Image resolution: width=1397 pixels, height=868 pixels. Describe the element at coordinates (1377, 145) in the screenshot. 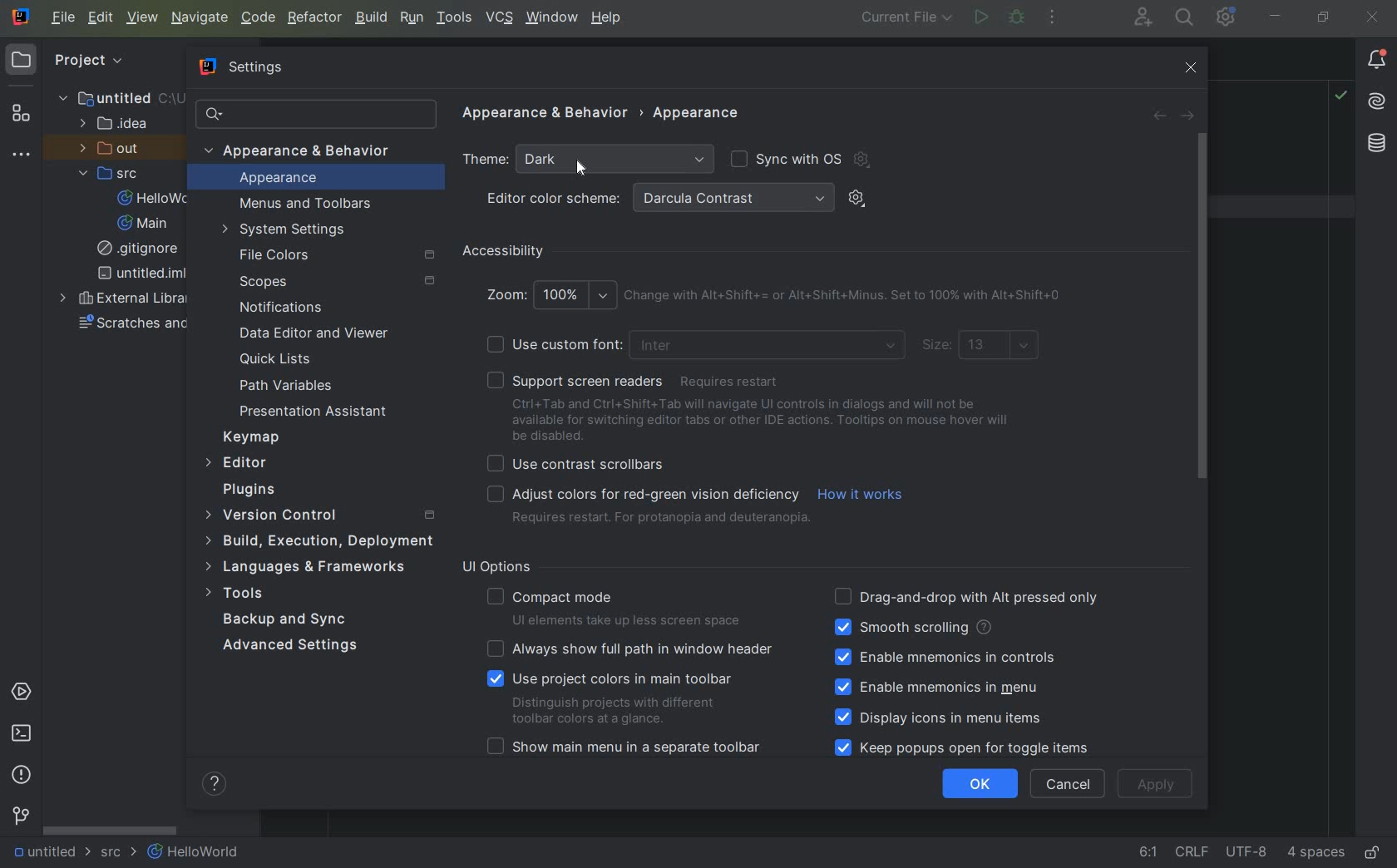

I see `DATABASE` at that location.